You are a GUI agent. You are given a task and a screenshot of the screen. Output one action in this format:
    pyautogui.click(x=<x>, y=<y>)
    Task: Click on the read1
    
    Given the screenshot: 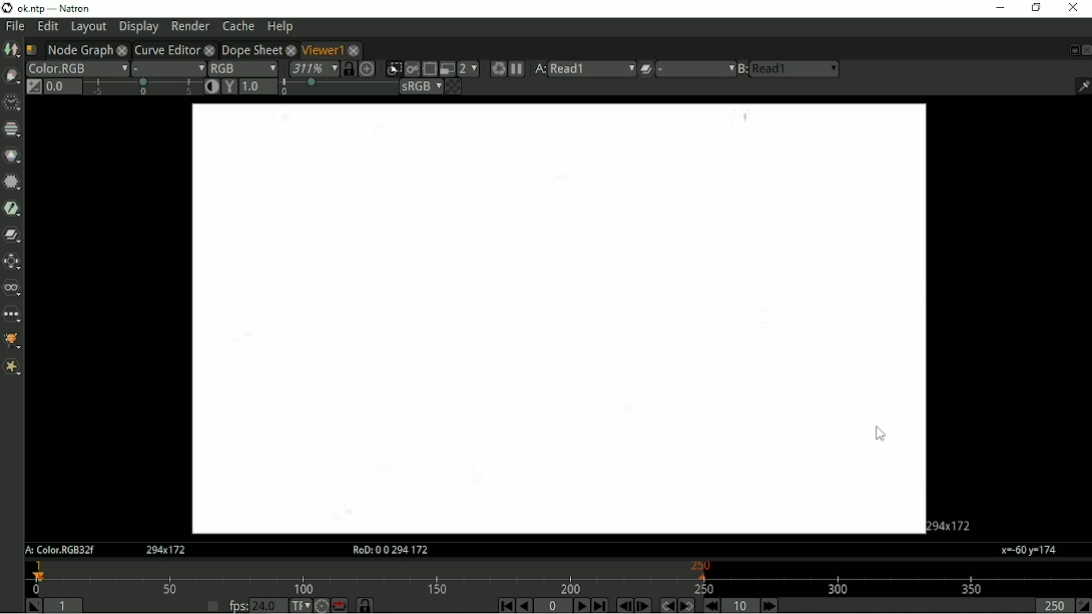 What is the action you would take?
    pyautogui.click(x=592, y=69)
    